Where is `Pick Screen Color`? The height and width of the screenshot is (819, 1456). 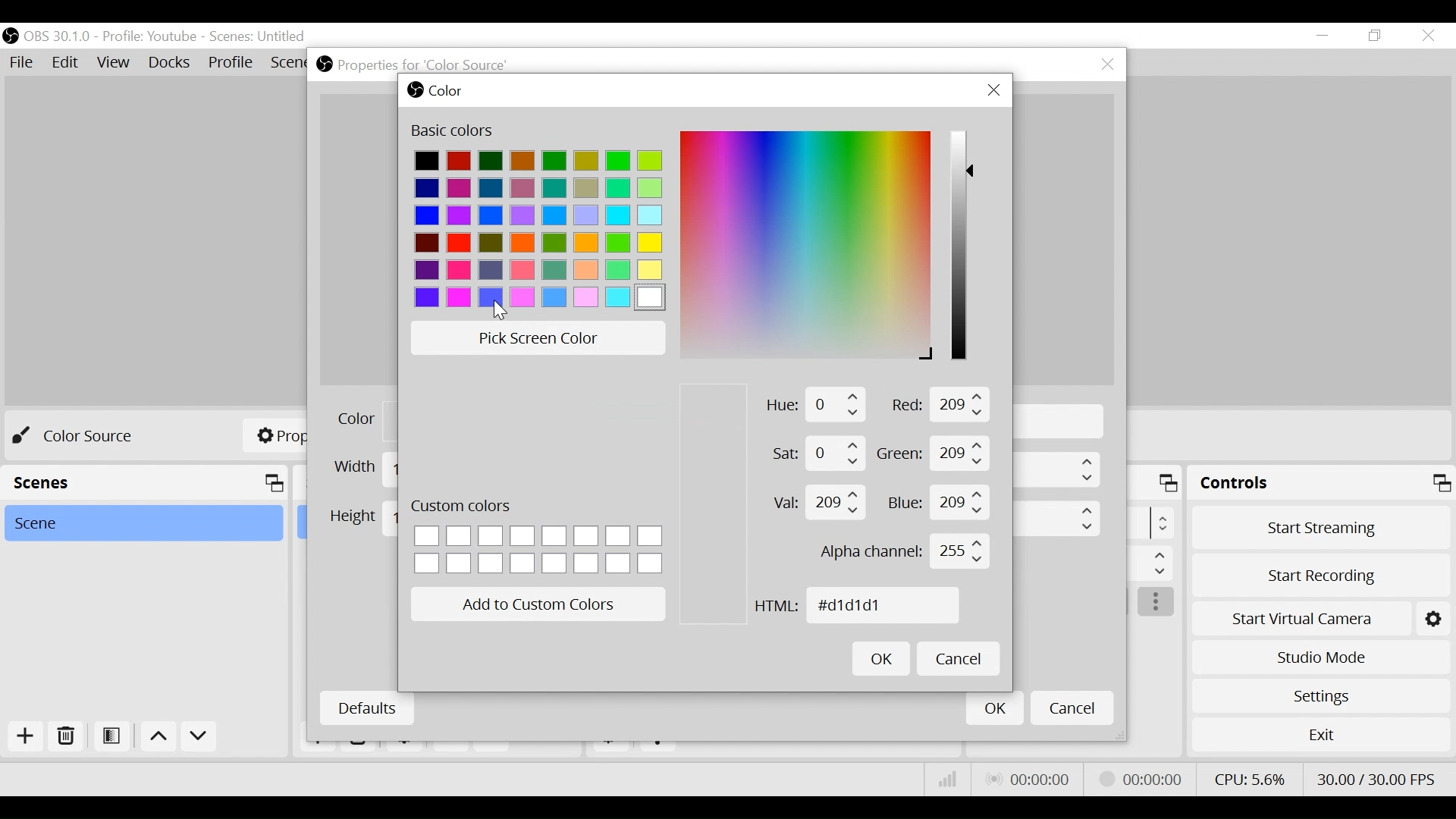 Pick Screen Color is located at coordinates (538, 337).